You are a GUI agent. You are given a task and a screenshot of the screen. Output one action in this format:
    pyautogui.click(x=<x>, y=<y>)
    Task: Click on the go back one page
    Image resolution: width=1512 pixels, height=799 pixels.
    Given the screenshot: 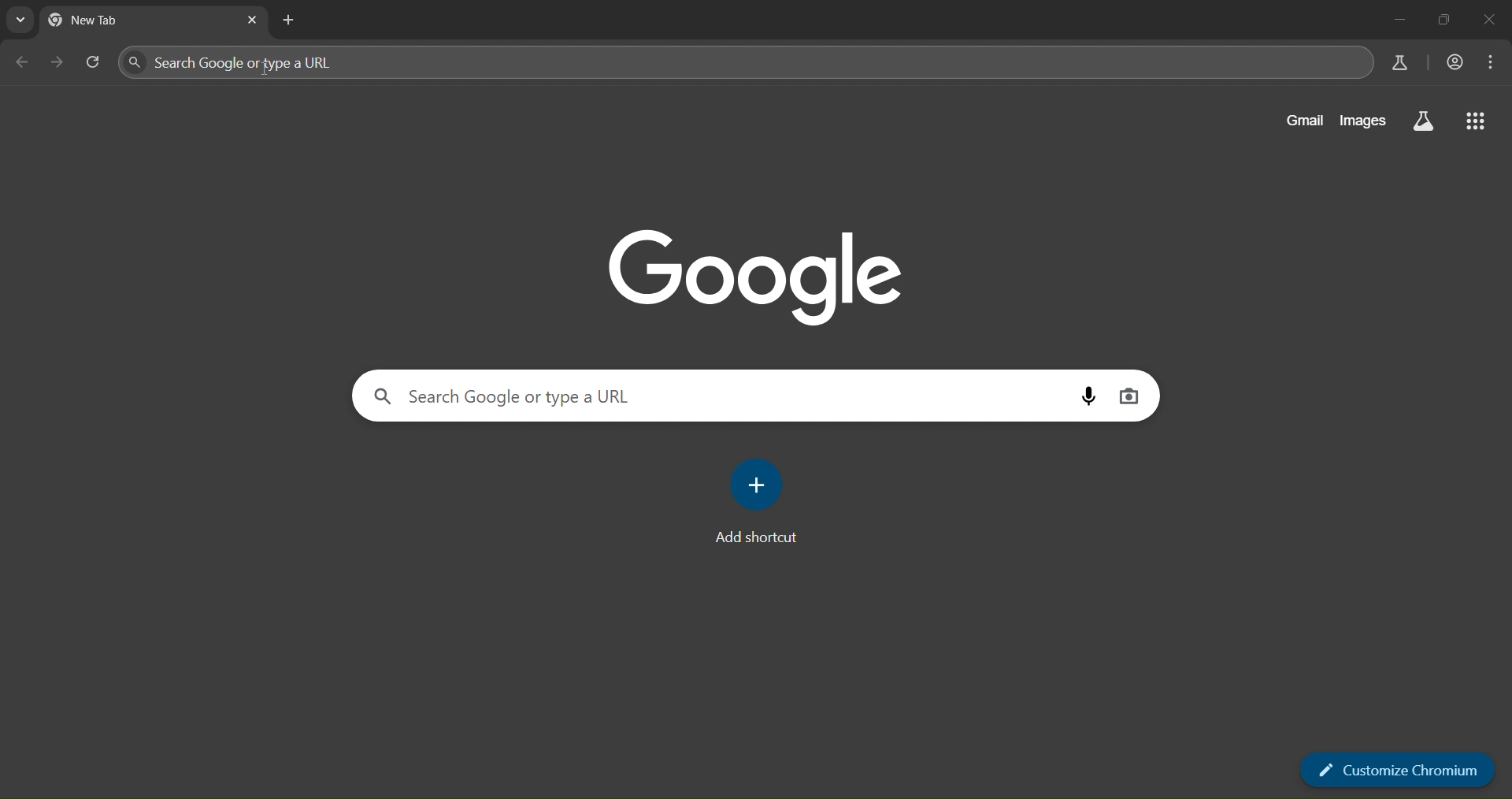 What is the action you would take?
    pyautogui.click(x=24, y=61)
    